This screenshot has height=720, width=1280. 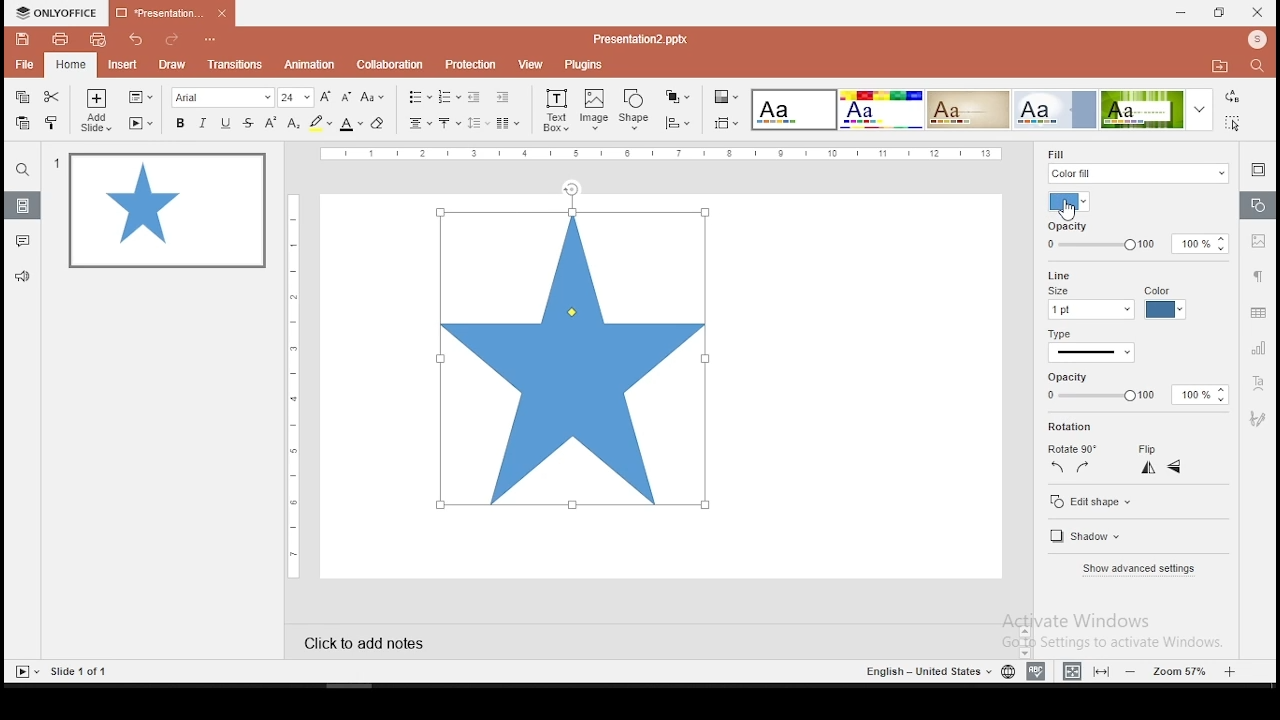 I want to click on theme, so click(x=968, y=110).